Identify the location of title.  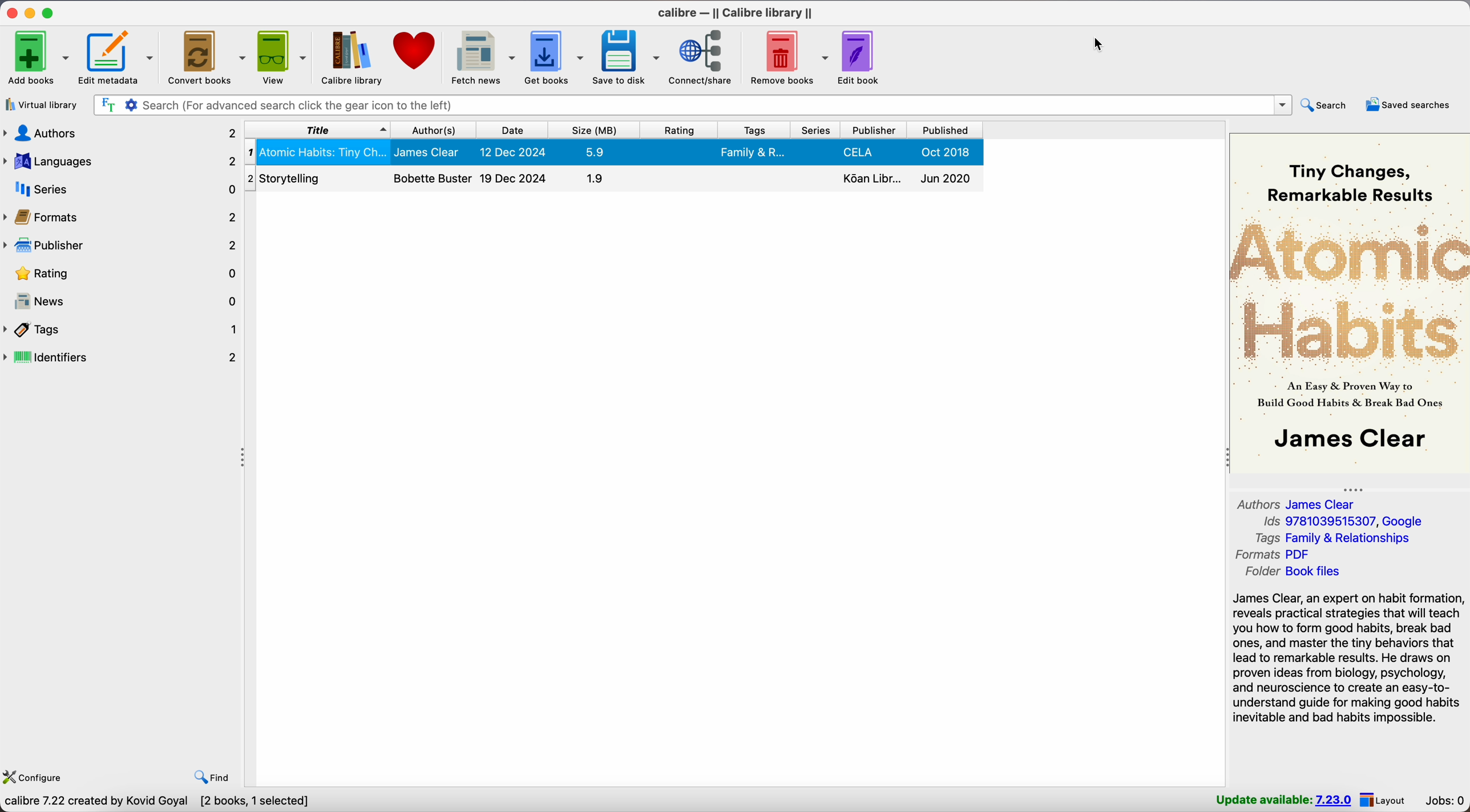
(317, 129).